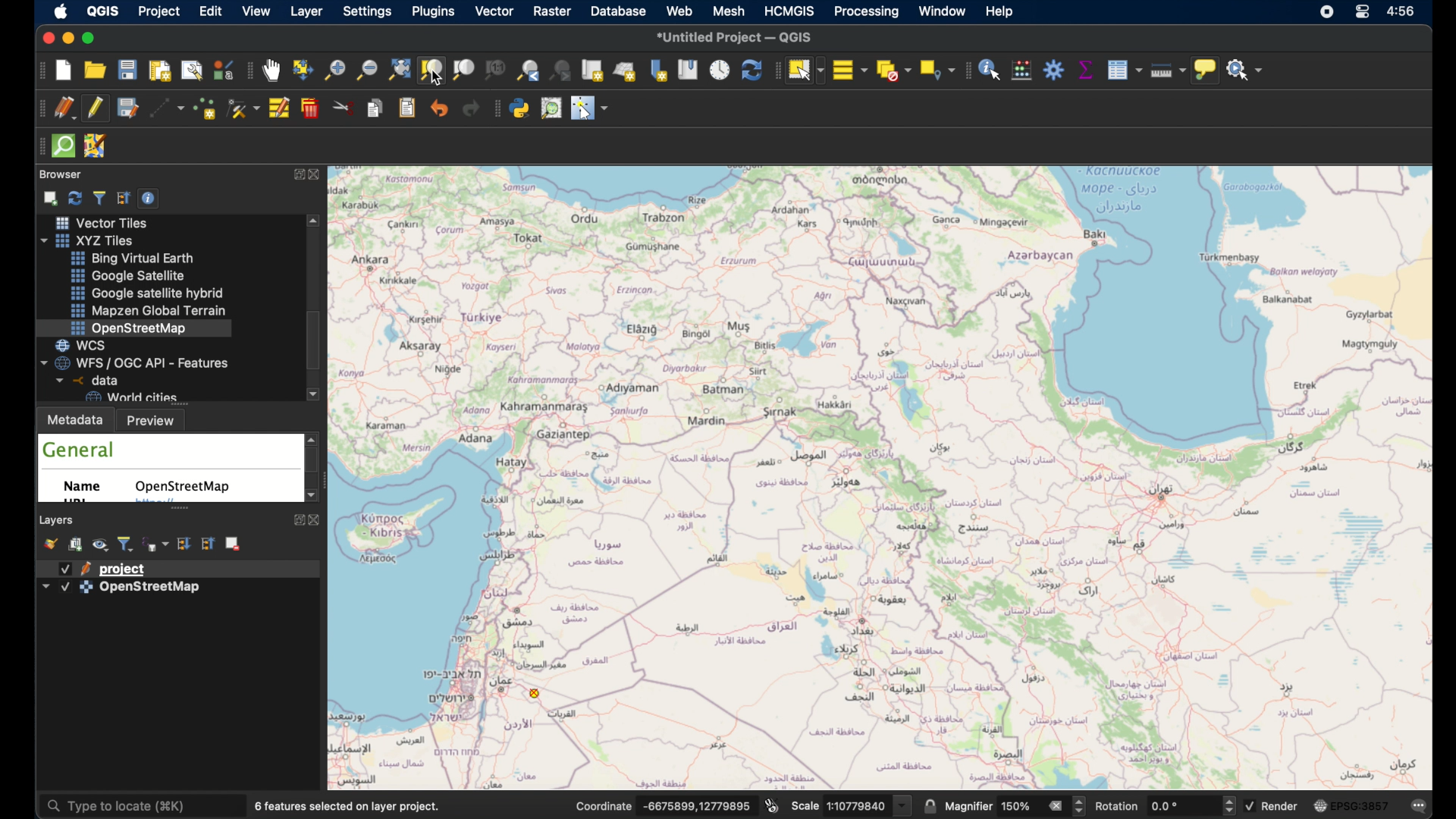 This screenshot has height=819, width=1456. What do you see at coordinates (88, 344) in the screenshot?
I see `wcs` at bounding box center [88, 344].